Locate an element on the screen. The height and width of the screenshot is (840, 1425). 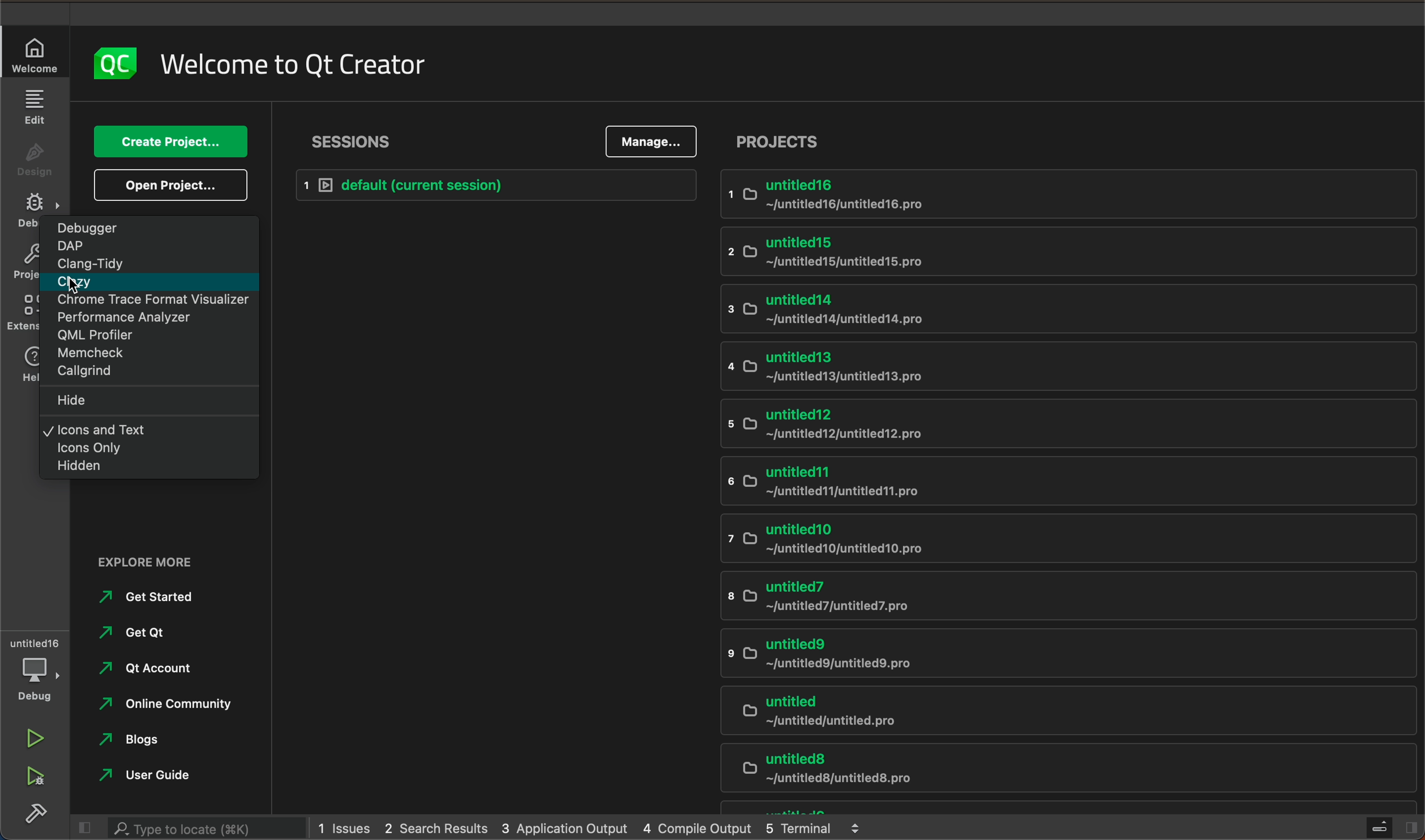
projects is located at coordinates (778, 140).